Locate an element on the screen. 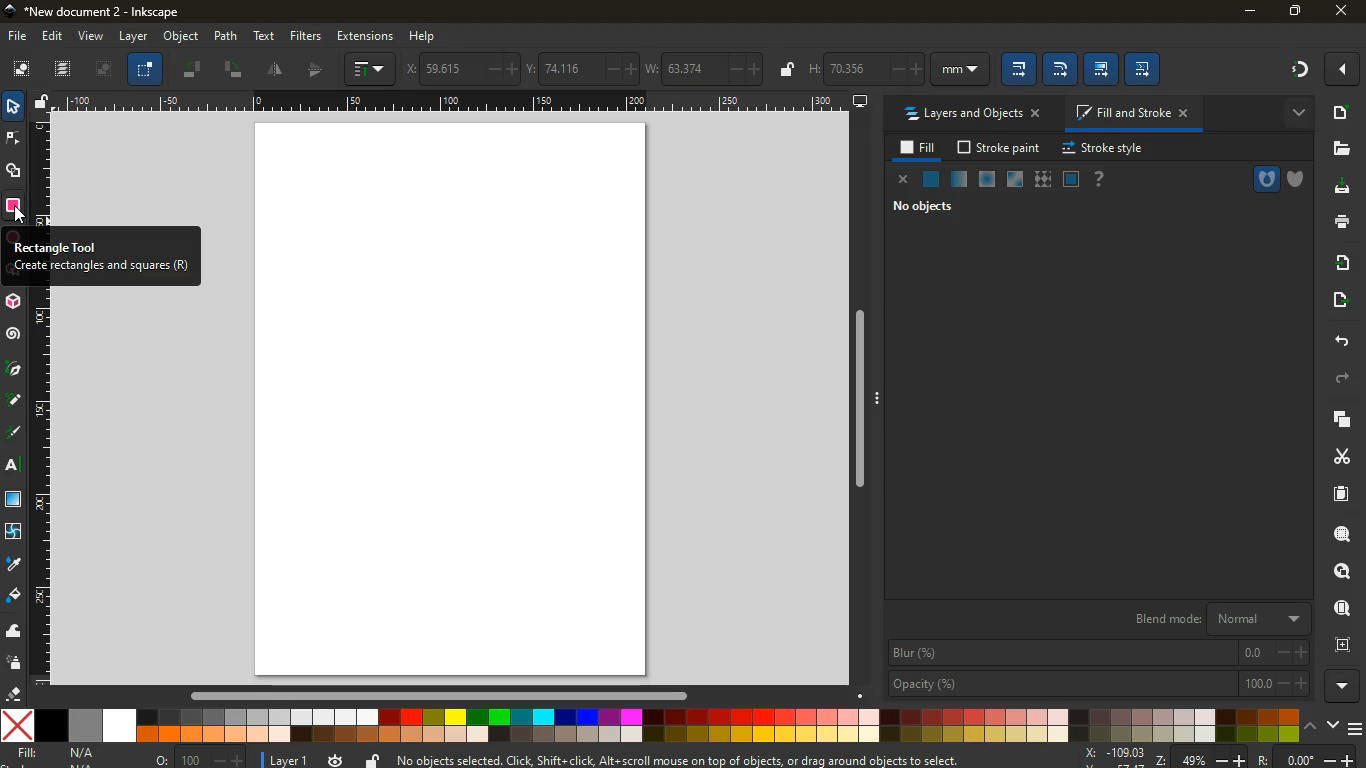 Image resolution: width=1366 pixels, height=768 pixels. tilt is located at coordinates (193, 70).